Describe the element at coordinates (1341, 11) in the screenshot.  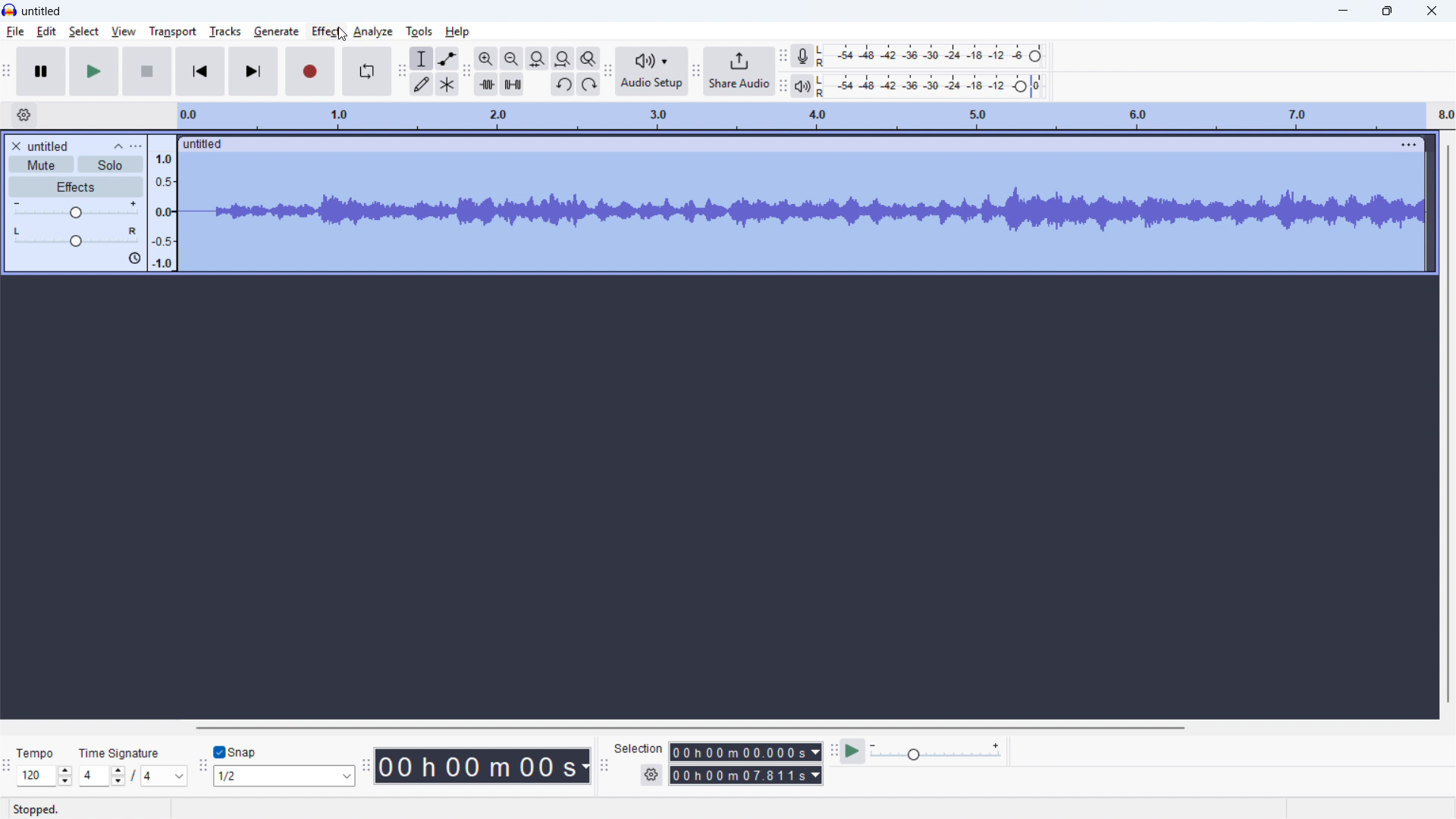
I see `minimise ` at that location.